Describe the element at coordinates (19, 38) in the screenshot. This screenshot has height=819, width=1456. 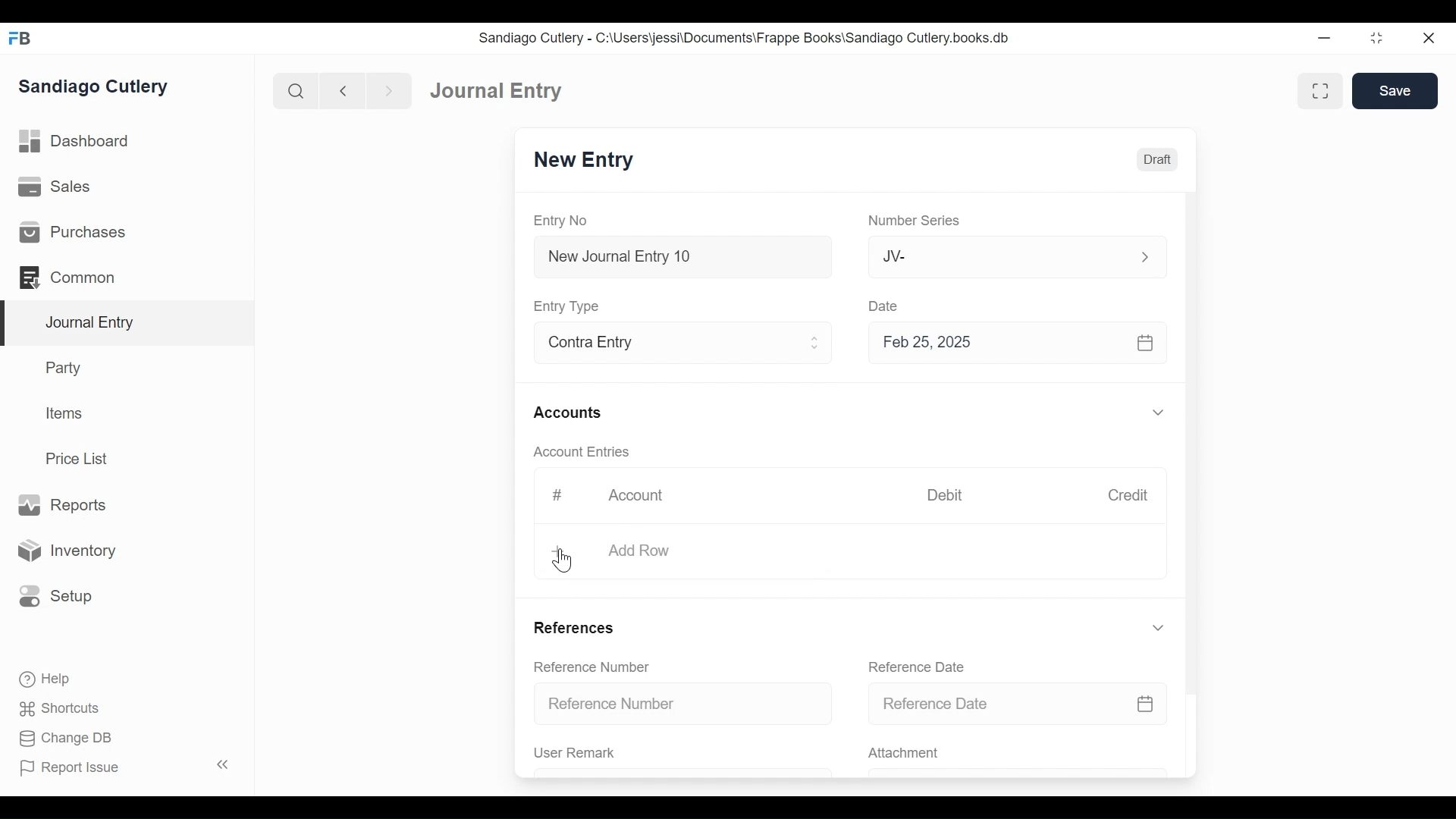
I see `Frappe Books Desktop icon` at that location.